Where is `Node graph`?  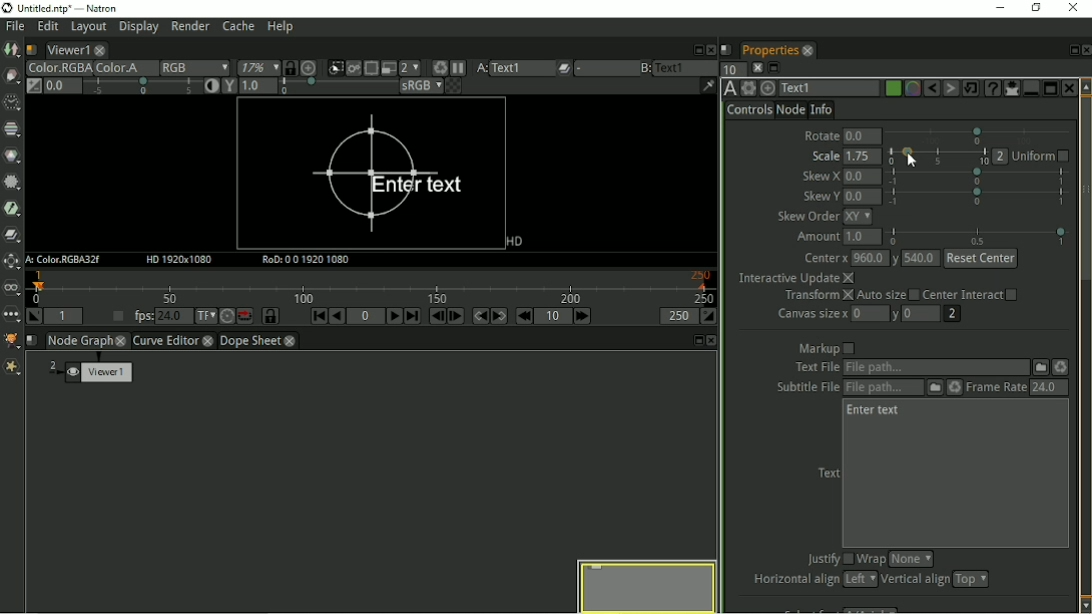 Node graph is located at coordinates (87, 341).